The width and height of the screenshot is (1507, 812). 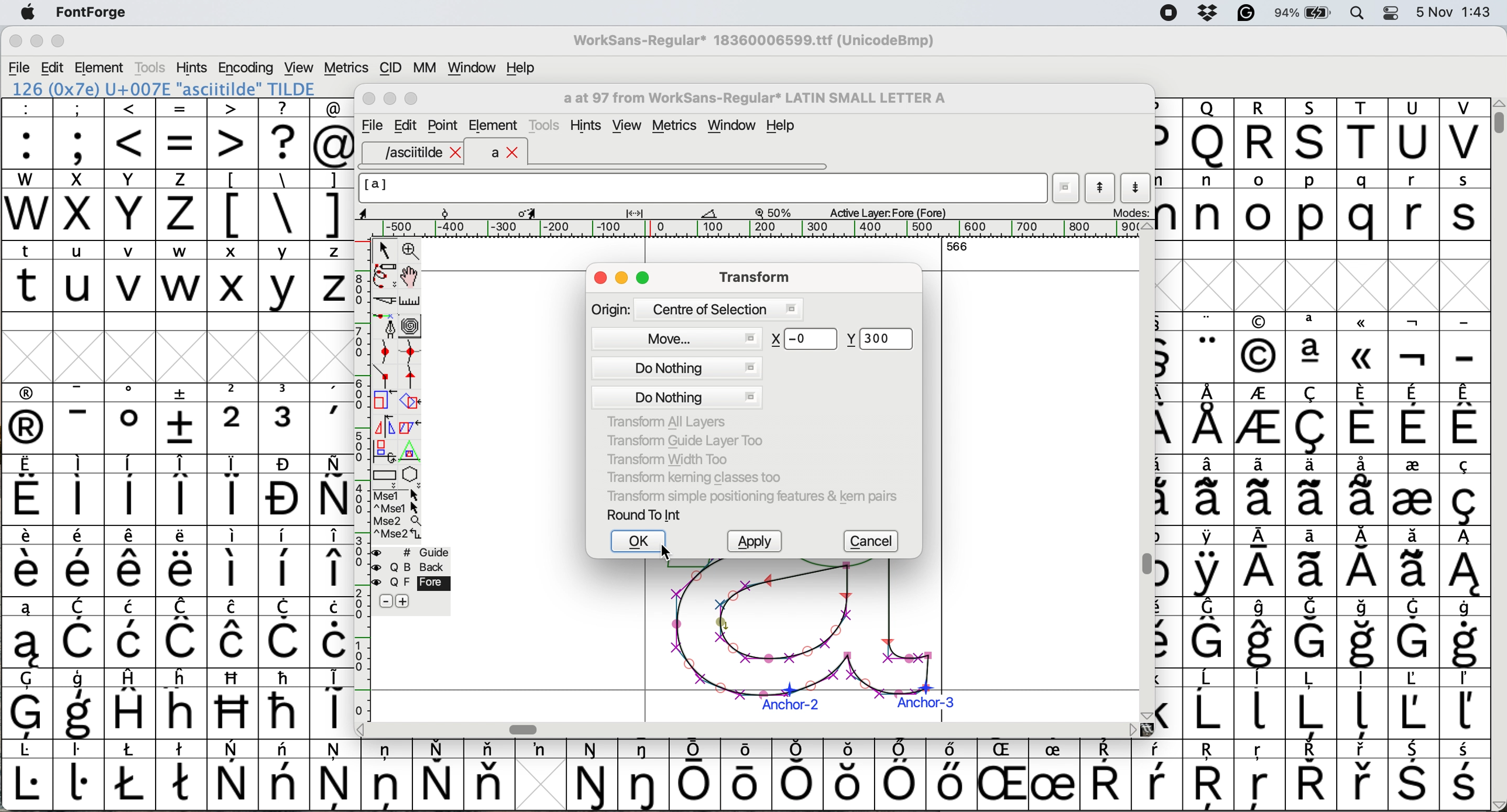 I want to click on , so click(x=850, y=775).